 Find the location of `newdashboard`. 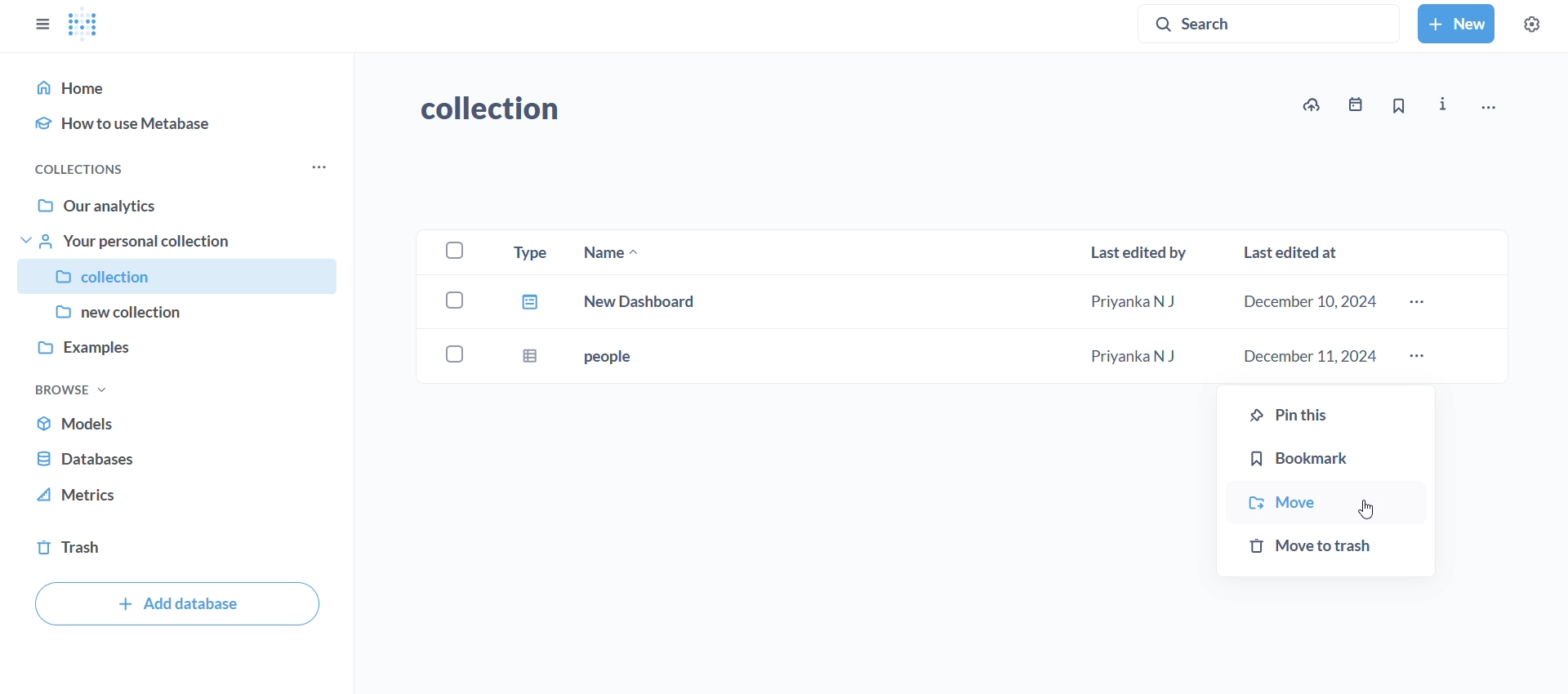

newdashboard is located at coordinates (644, 300).